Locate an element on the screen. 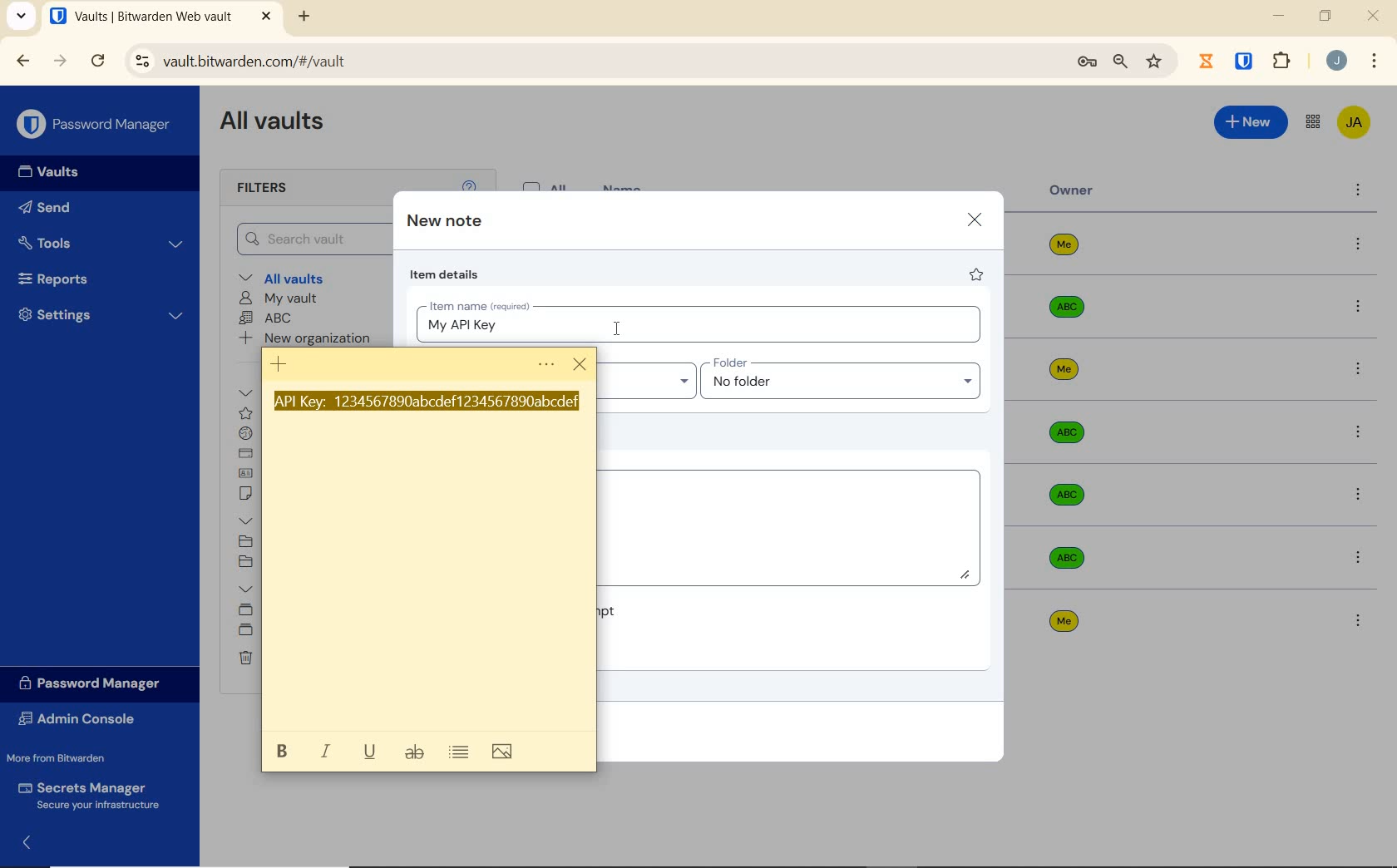 The width and height of the screenshot is (1397, 868). item details is located at coordinates (445, 277).